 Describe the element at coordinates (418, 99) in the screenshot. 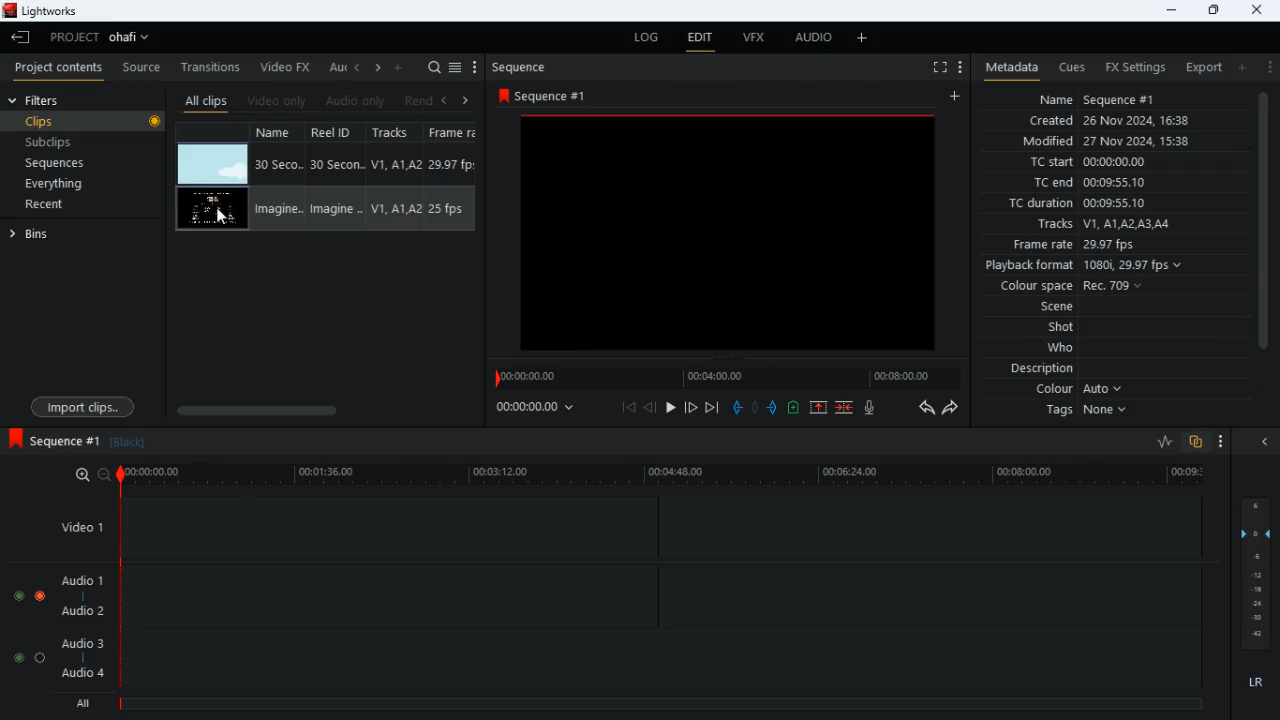

I see `rend` at that location.